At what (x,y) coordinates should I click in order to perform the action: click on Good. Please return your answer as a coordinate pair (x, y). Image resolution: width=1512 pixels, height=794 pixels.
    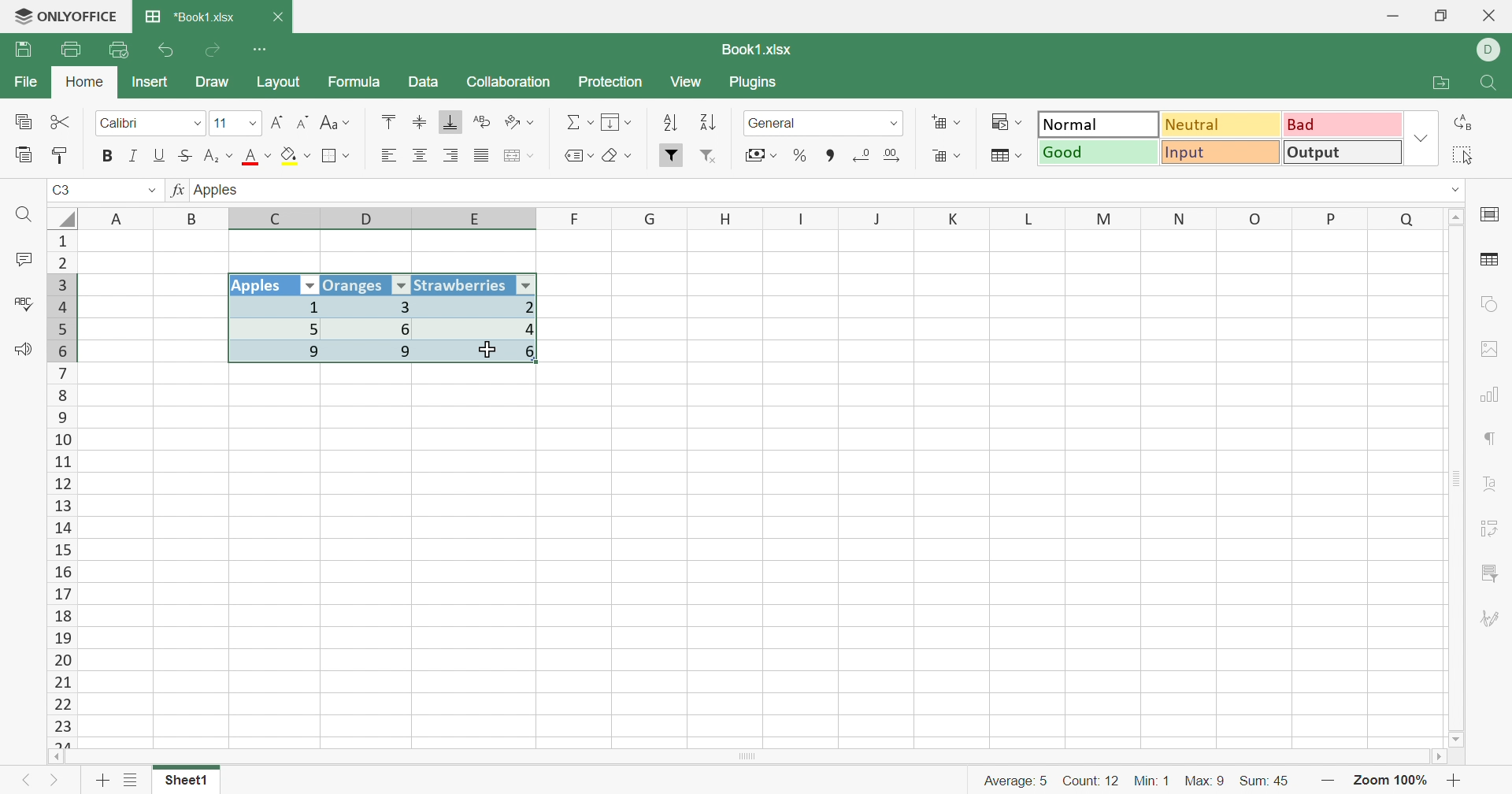
    Looking at the image, I should click on (1099, 153).